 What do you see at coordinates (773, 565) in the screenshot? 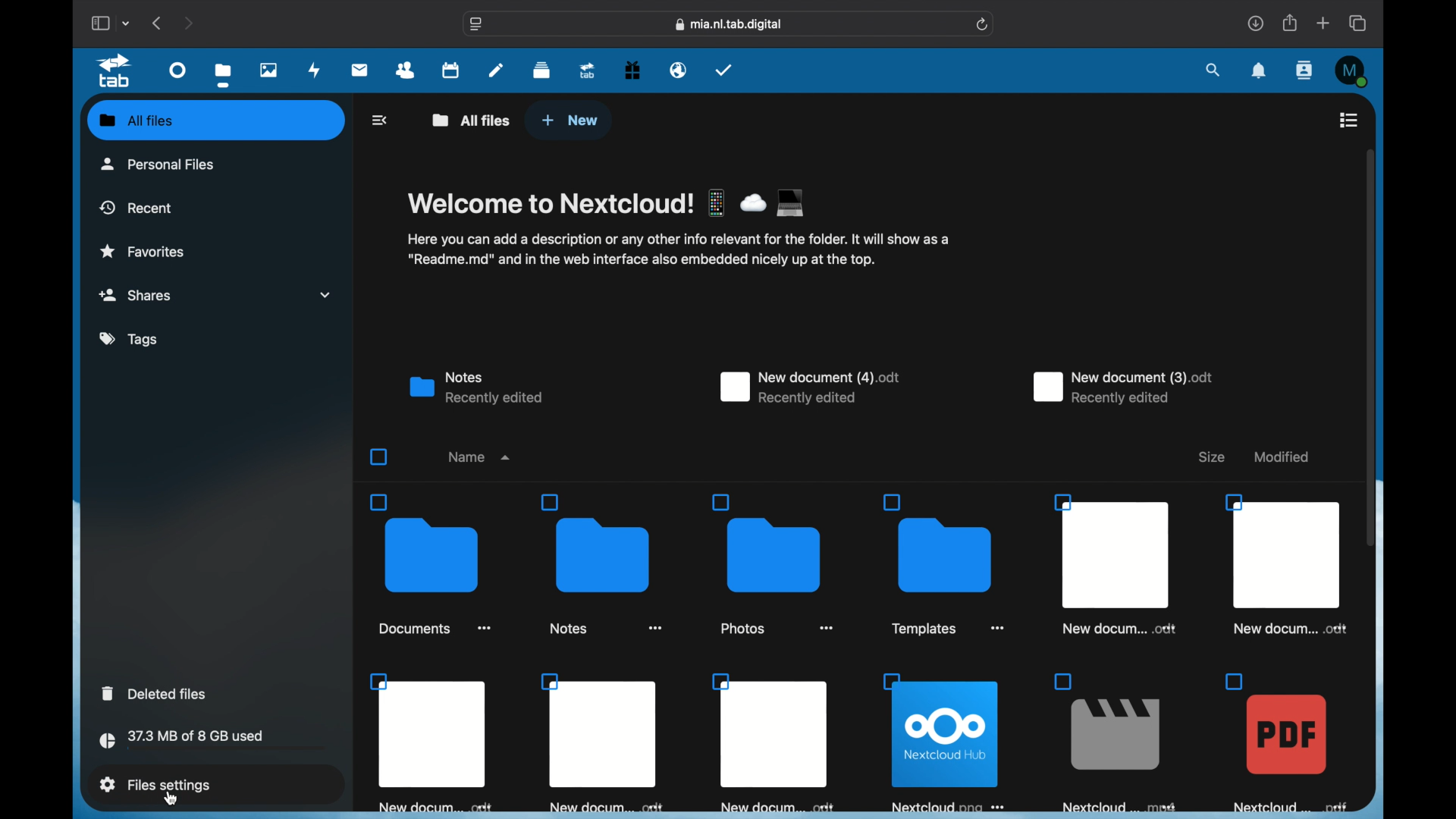
I see `file` at bounding box center [773, 565].